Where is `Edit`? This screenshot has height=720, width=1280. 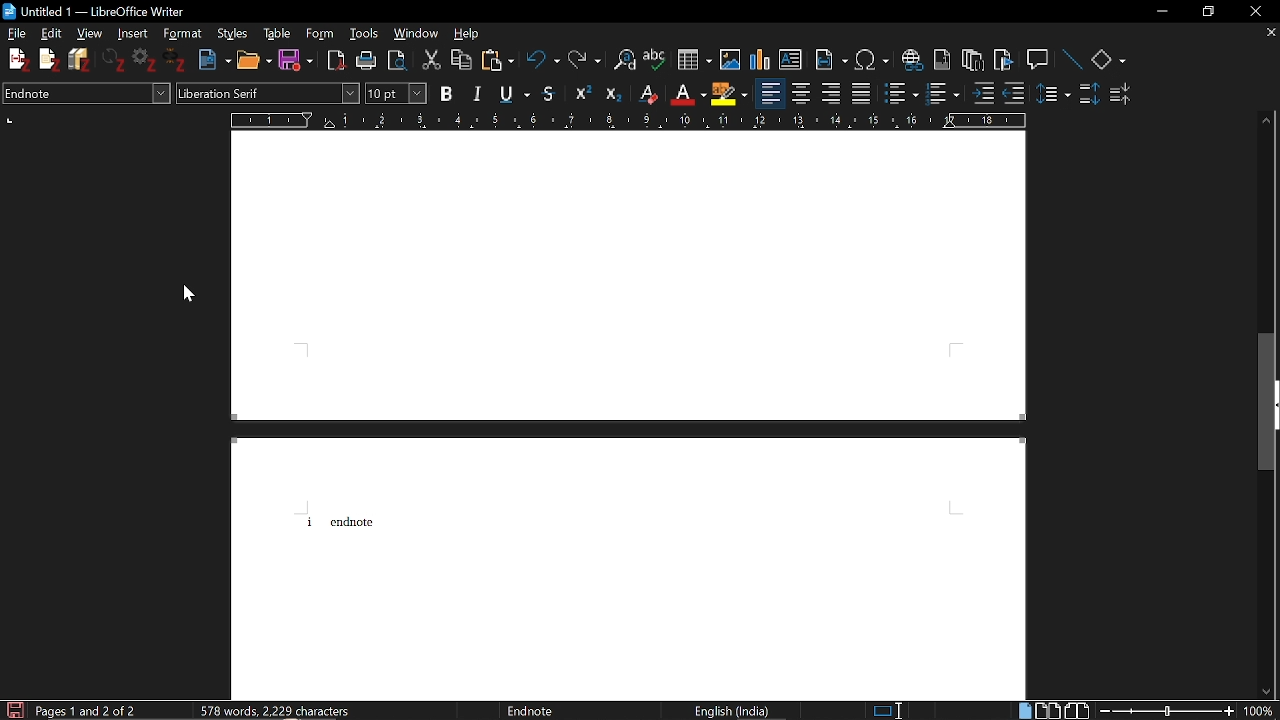 Edit is located at coordinates (53, 33).